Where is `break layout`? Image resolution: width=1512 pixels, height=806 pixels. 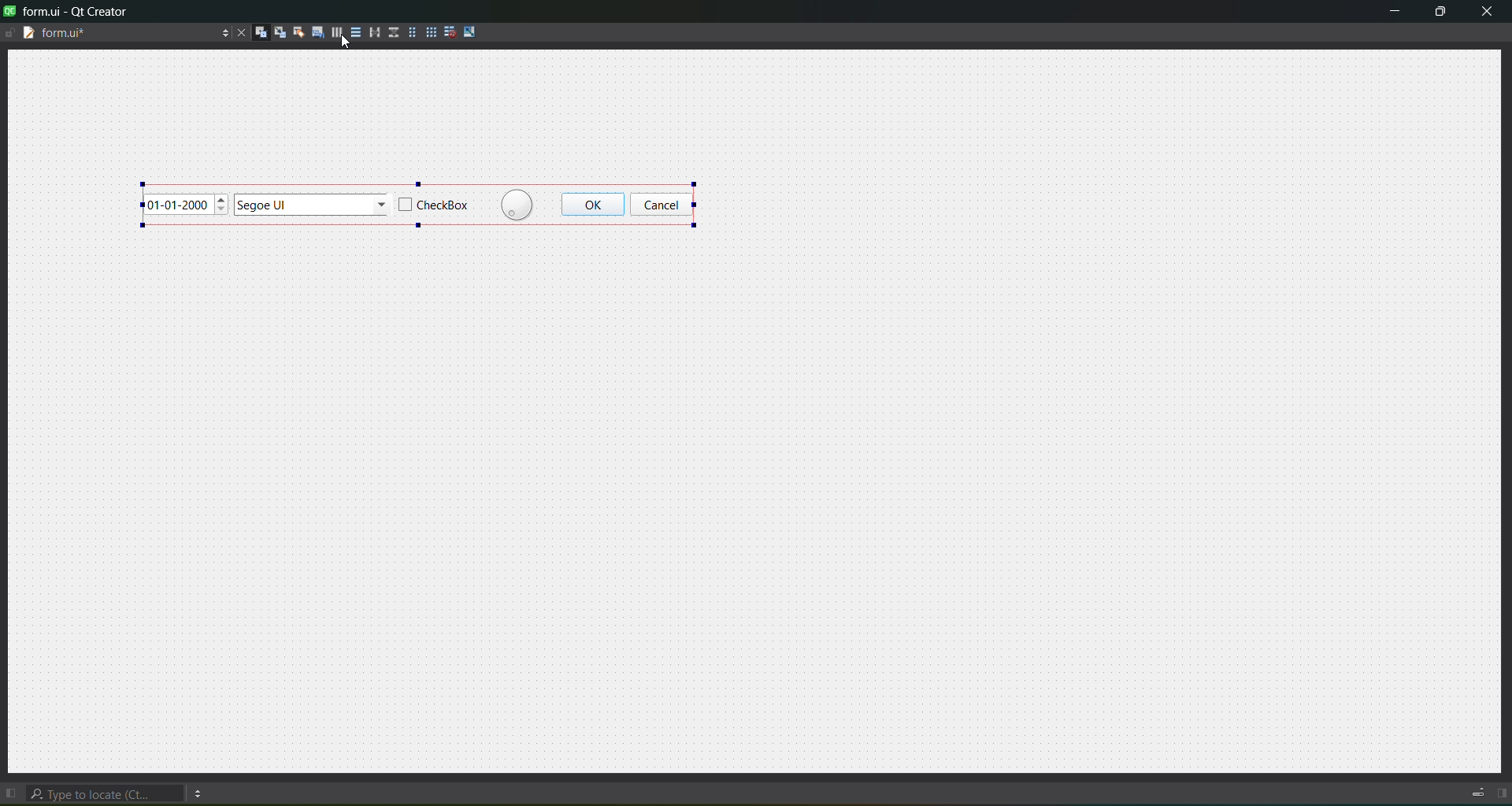
break layout is located at coordinates (447, 32).